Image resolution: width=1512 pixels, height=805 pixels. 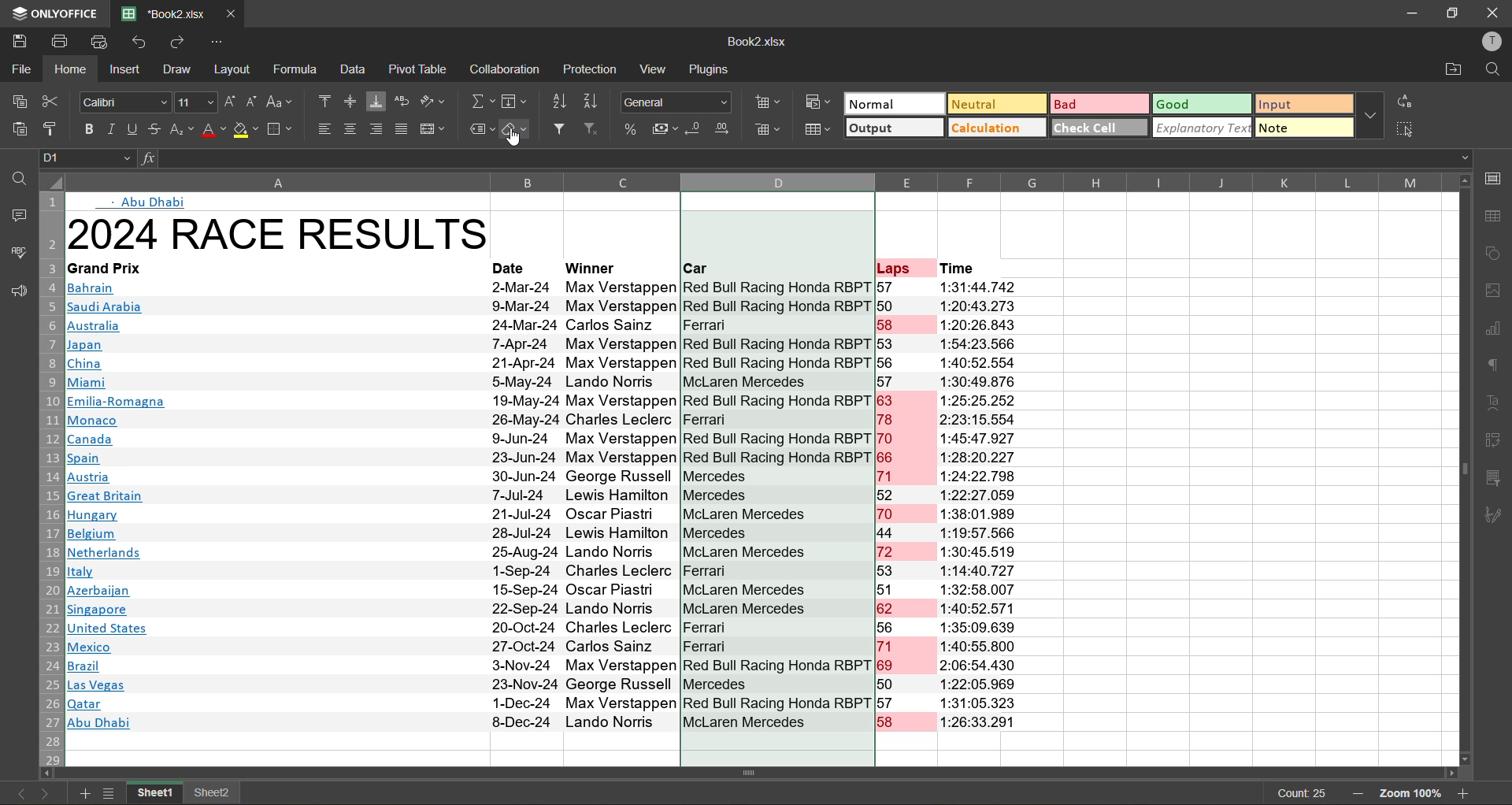 What do you see at coordinates (1466, 180) in the screenshot?
I see `move up` at bounding box center [1466, 180].